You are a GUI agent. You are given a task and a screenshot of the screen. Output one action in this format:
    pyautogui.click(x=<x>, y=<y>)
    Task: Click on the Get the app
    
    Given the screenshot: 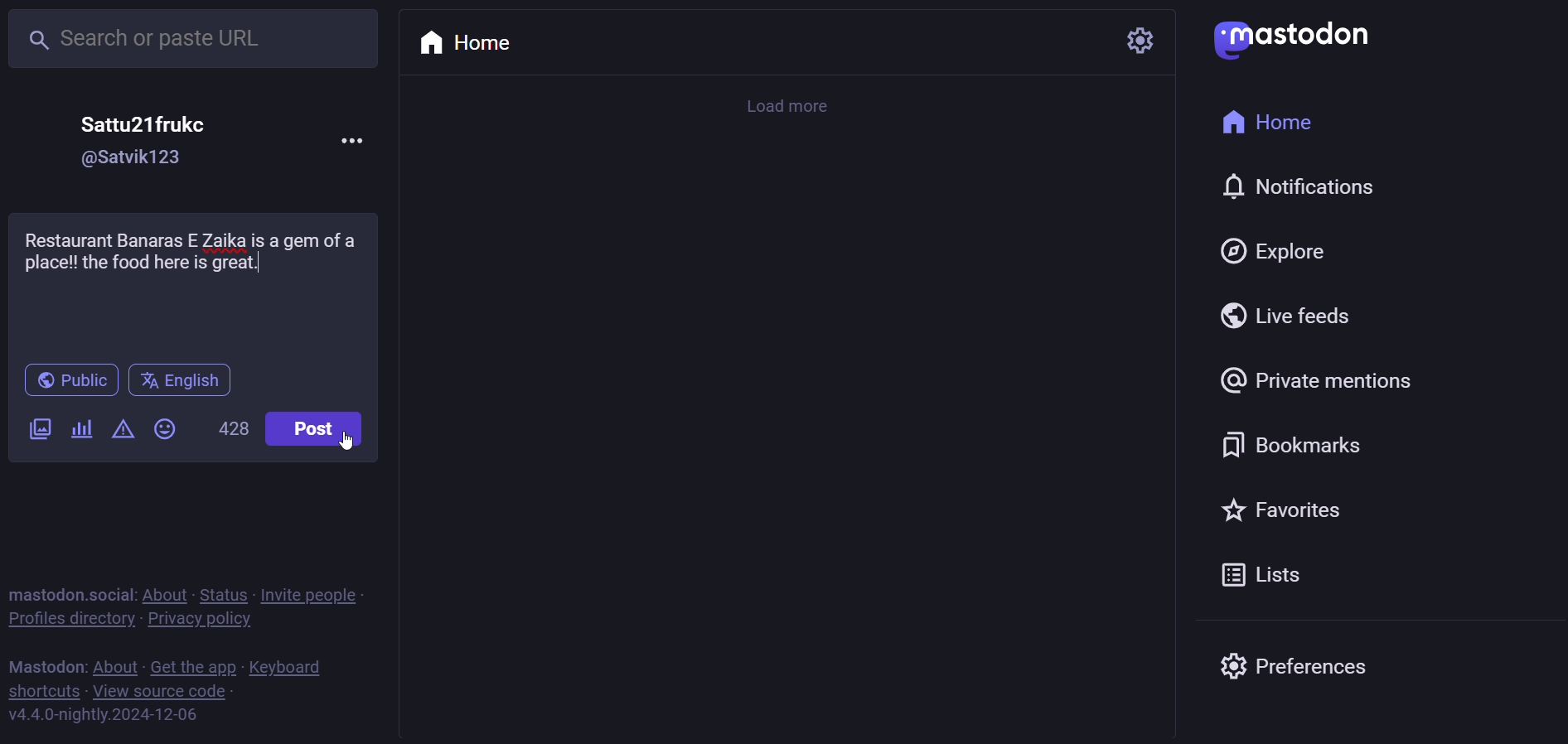 What is the action you would take?
    pyautogui.click(x=192, y=664)
    